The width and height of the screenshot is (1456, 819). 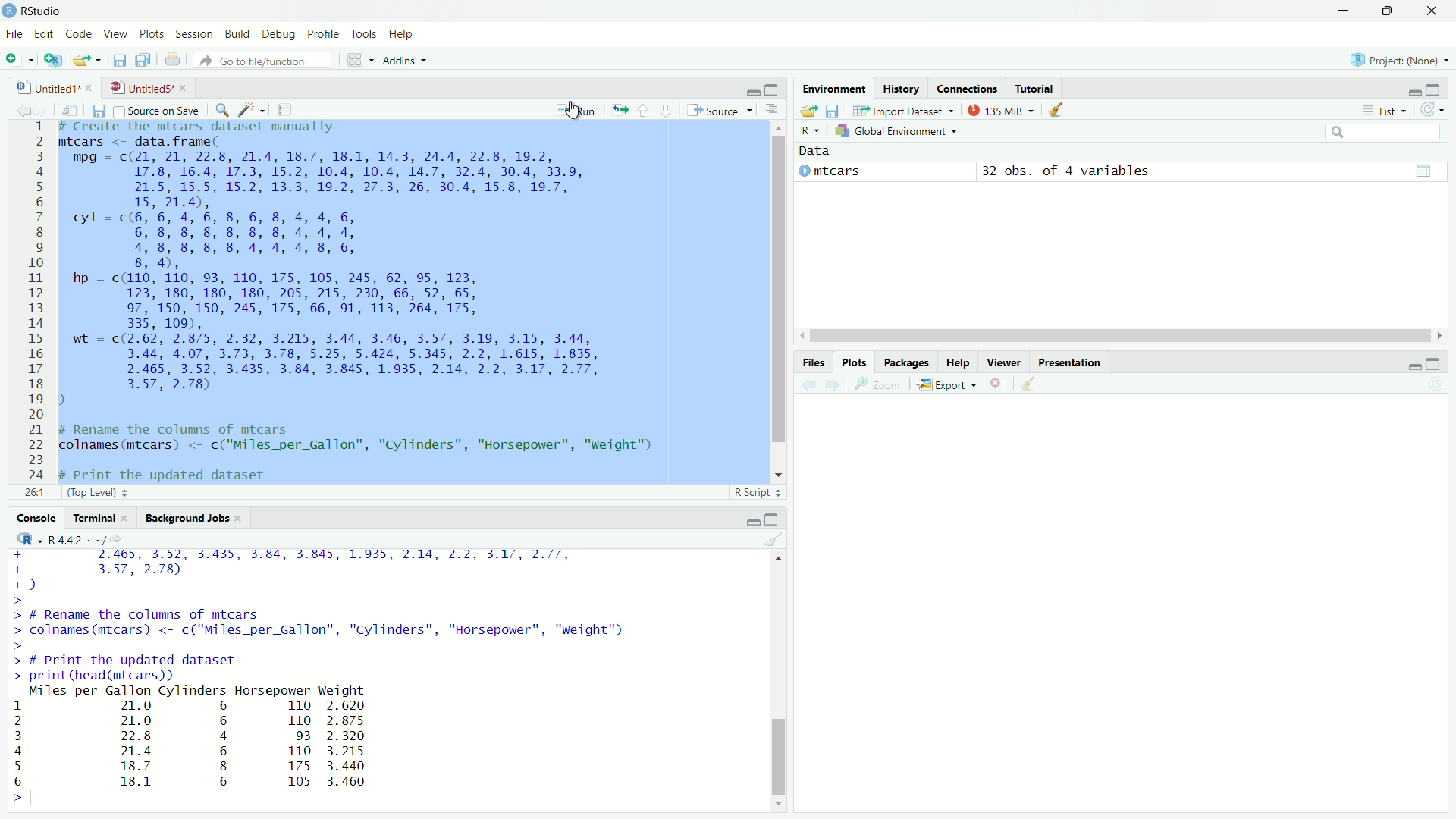 I want to click on Code, so click(x=79, y=33).